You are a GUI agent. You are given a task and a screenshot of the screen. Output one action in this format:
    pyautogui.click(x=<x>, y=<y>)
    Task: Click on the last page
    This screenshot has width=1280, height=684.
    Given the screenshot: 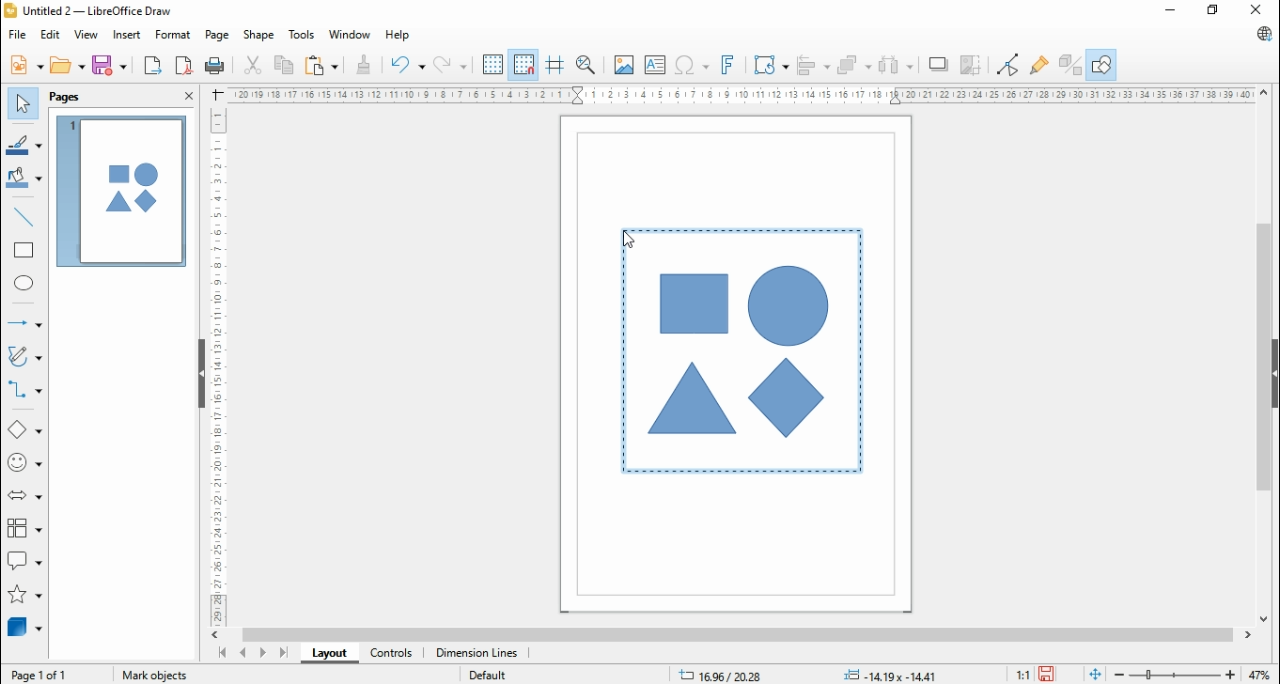 What is the action you would take?
    pyautogui.click(x=283, y=653)
    